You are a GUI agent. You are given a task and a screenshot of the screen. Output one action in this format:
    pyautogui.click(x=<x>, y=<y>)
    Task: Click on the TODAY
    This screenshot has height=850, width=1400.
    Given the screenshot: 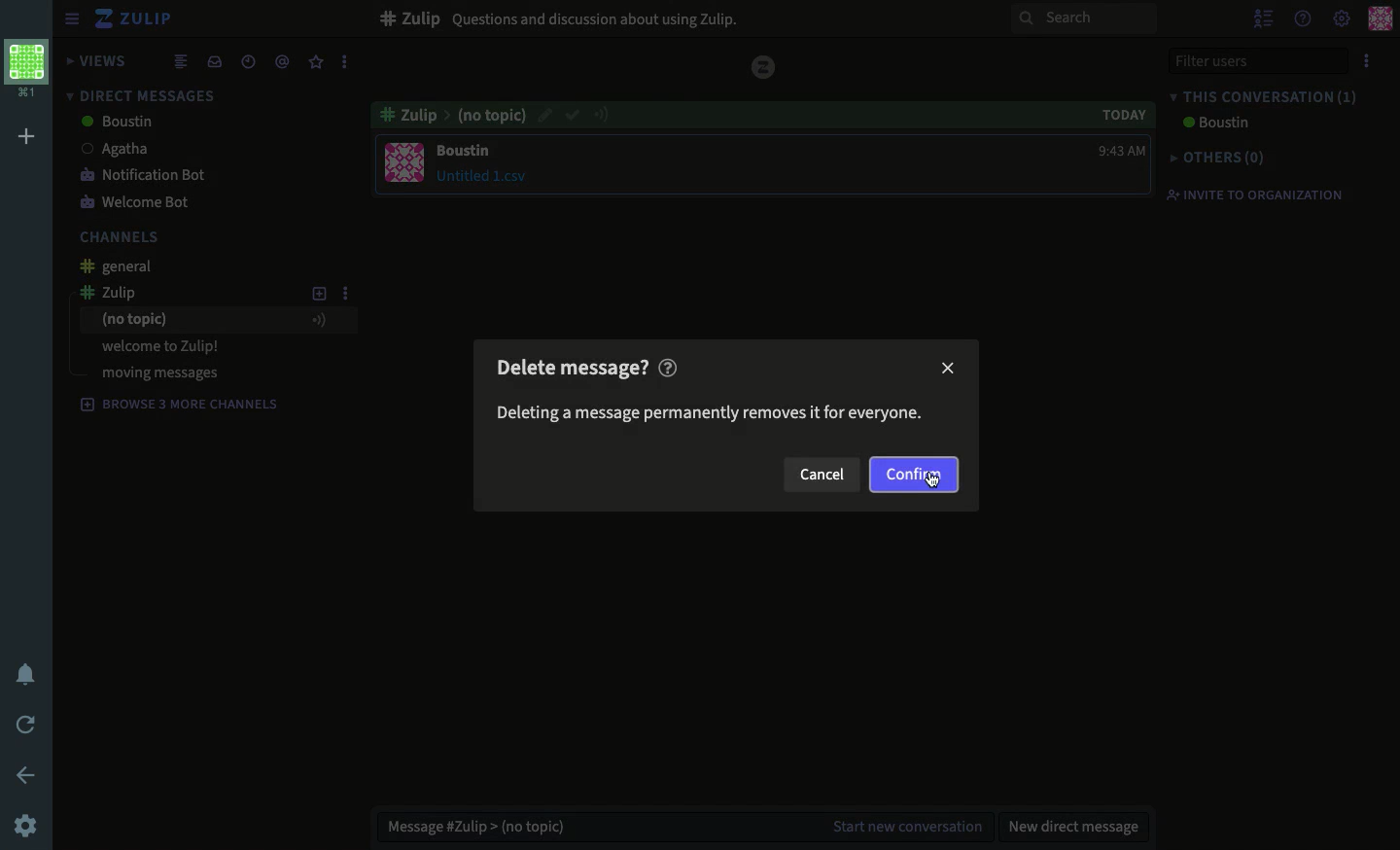 What is the action you would take?
    pyautogui.click(x=1112, y=112)
    